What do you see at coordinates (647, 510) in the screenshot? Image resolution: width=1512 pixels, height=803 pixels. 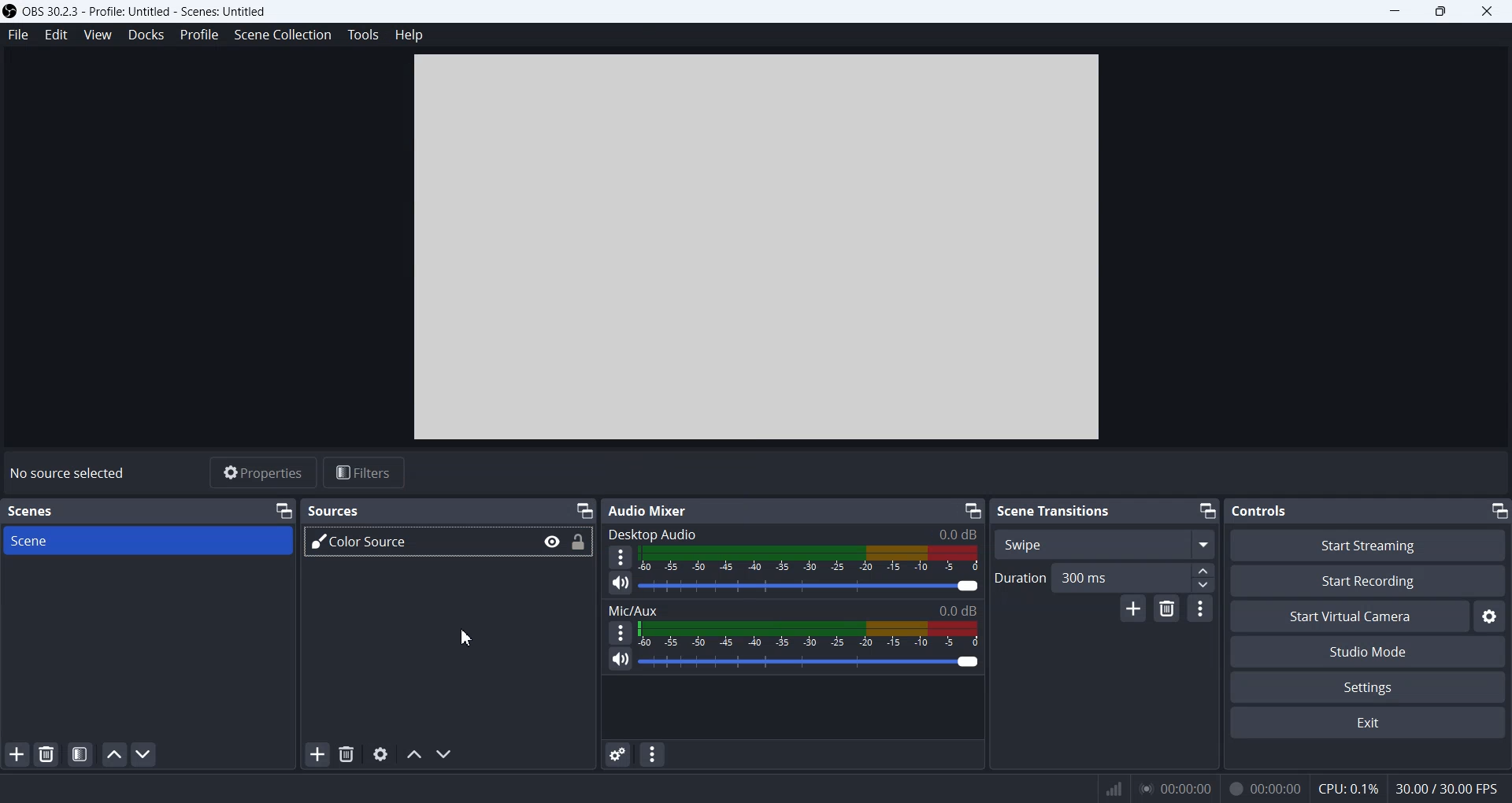 I see `Audio Mixer` at bounding box center [647, 510].